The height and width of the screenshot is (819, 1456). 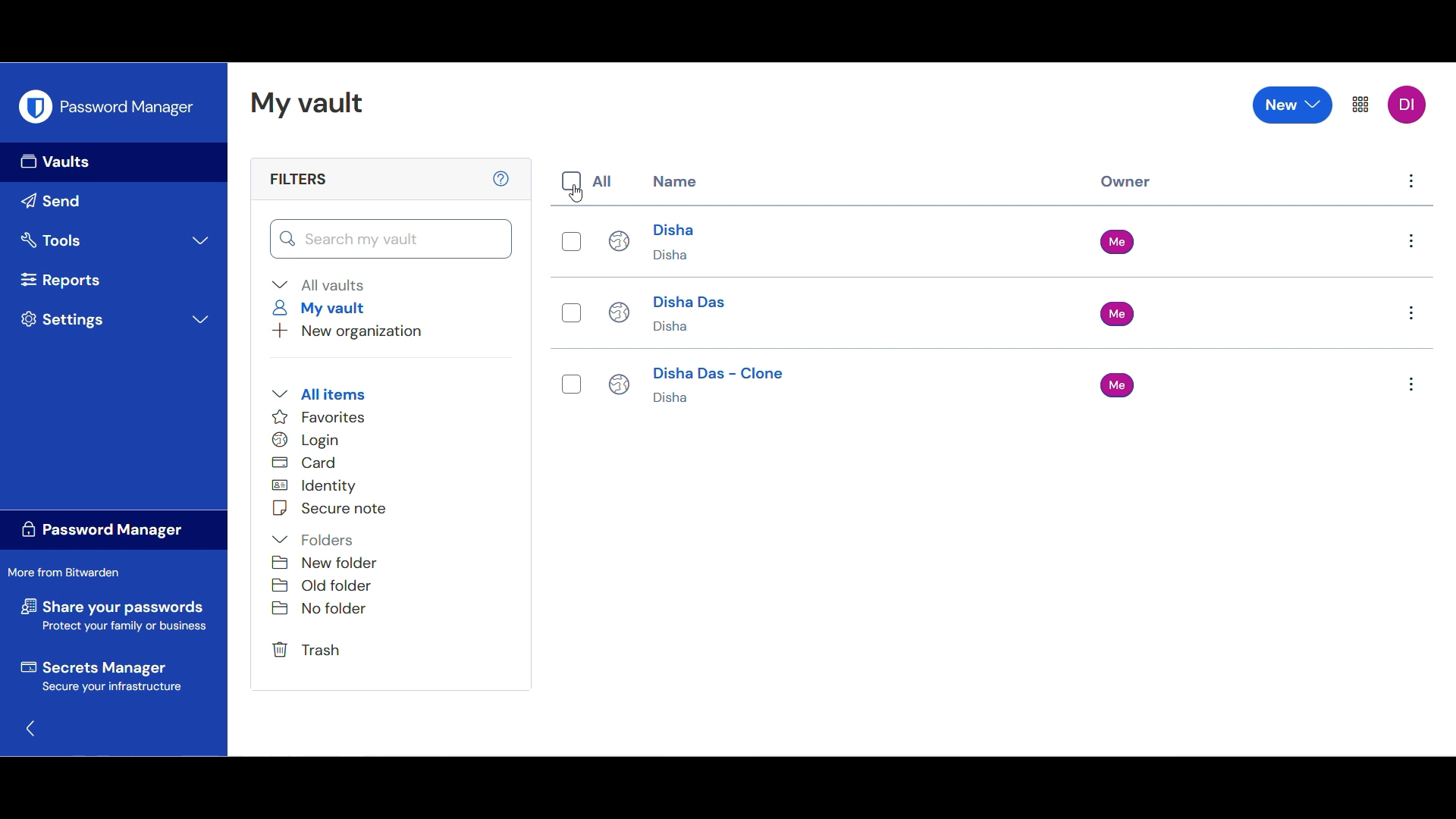 What do you see at coordinates (318, 285) in the screenshot?
I see `Collapse all vaults` at bounding box center [318, 285].